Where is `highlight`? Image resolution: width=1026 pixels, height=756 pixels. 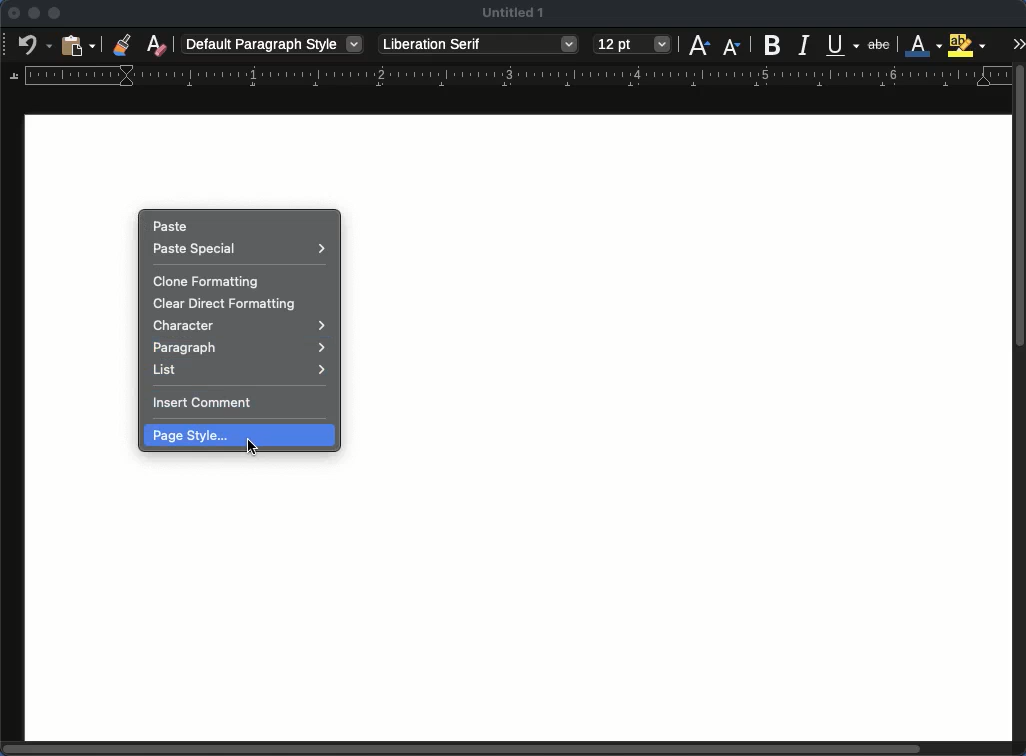
highlight is located at coordinates (966, 45).